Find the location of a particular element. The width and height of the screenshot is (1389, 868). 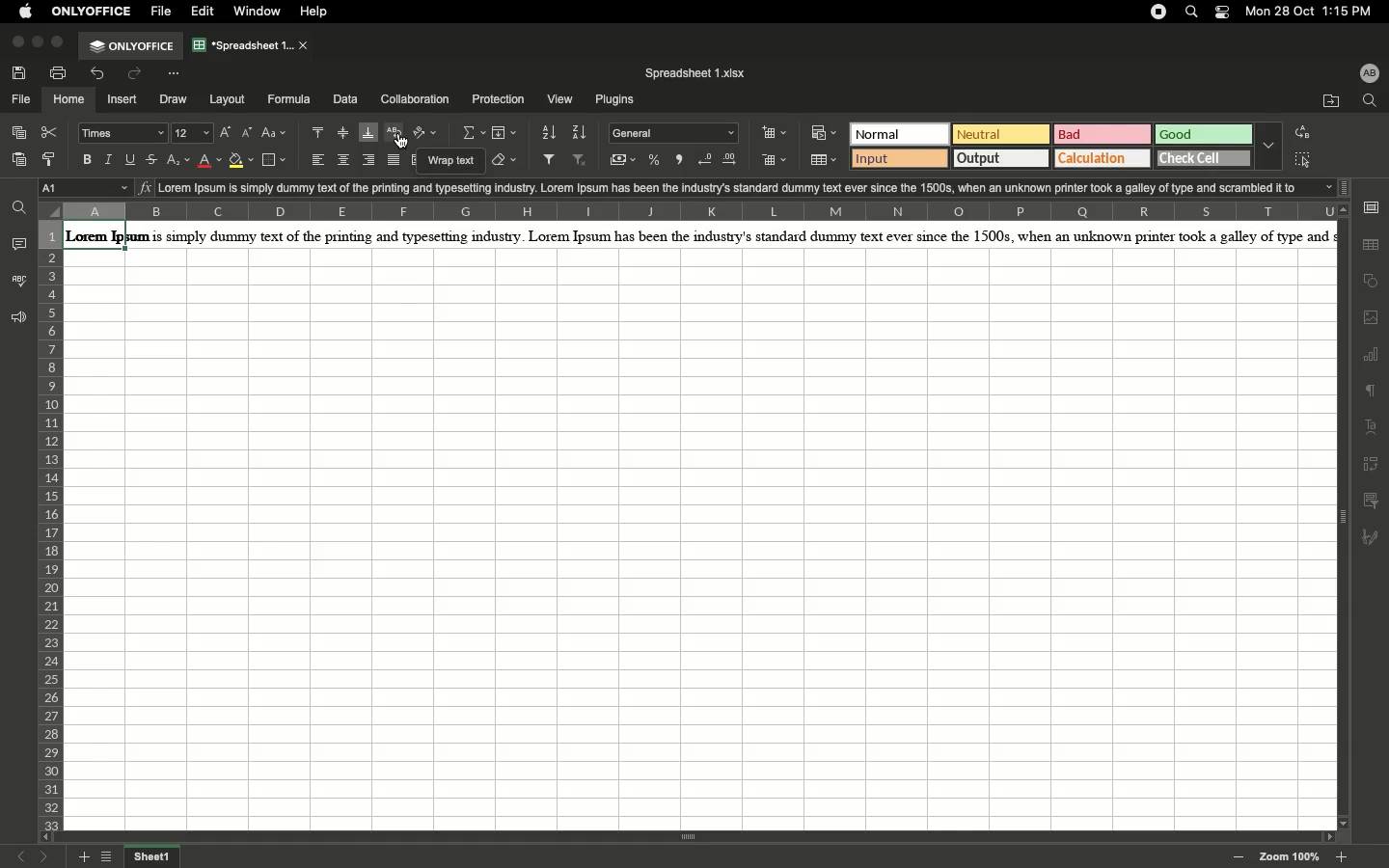

Filter is located at coordinates (553, 160).